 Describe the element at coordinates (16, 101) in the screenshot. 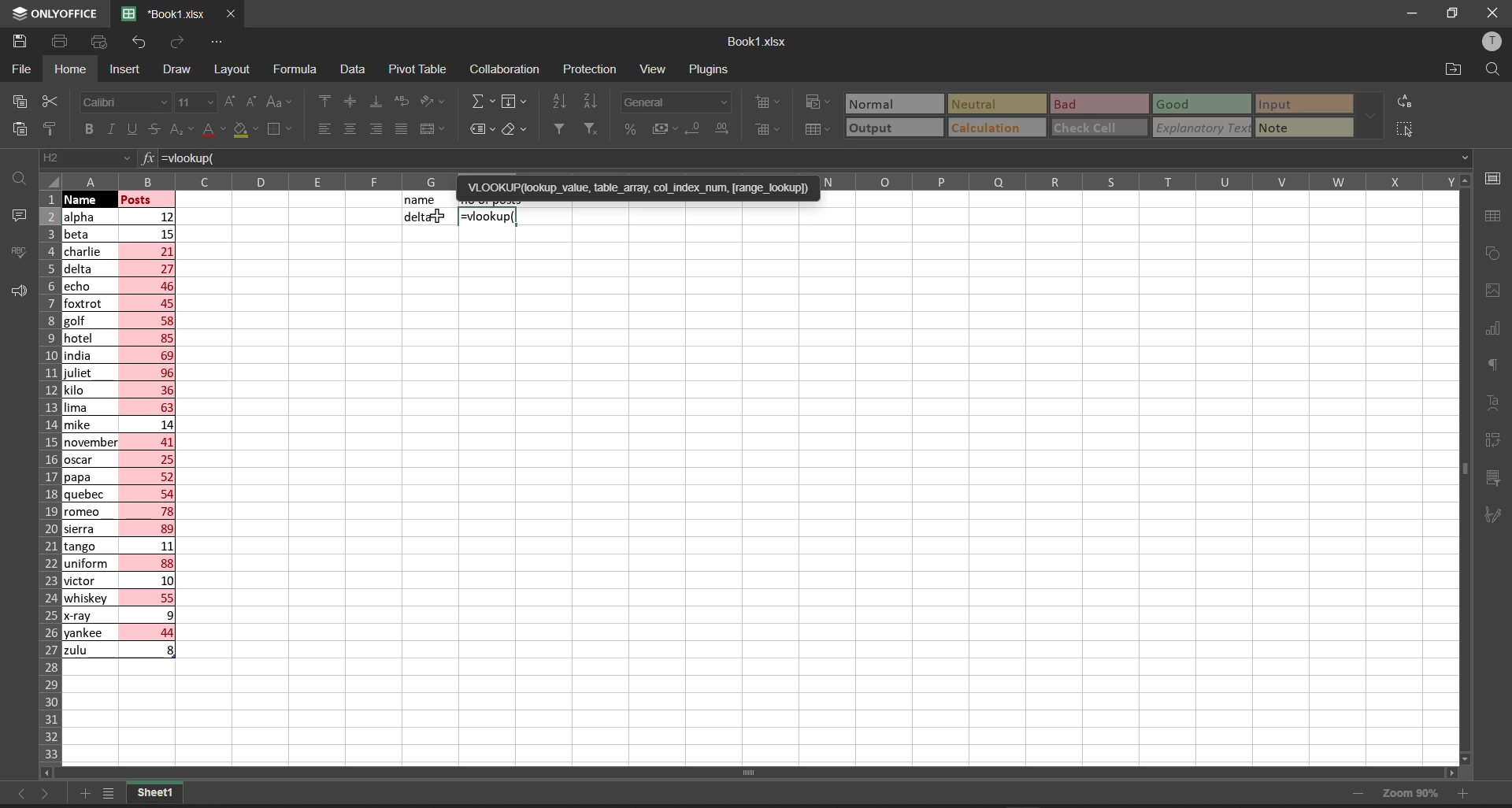

I see `copy` at that location.